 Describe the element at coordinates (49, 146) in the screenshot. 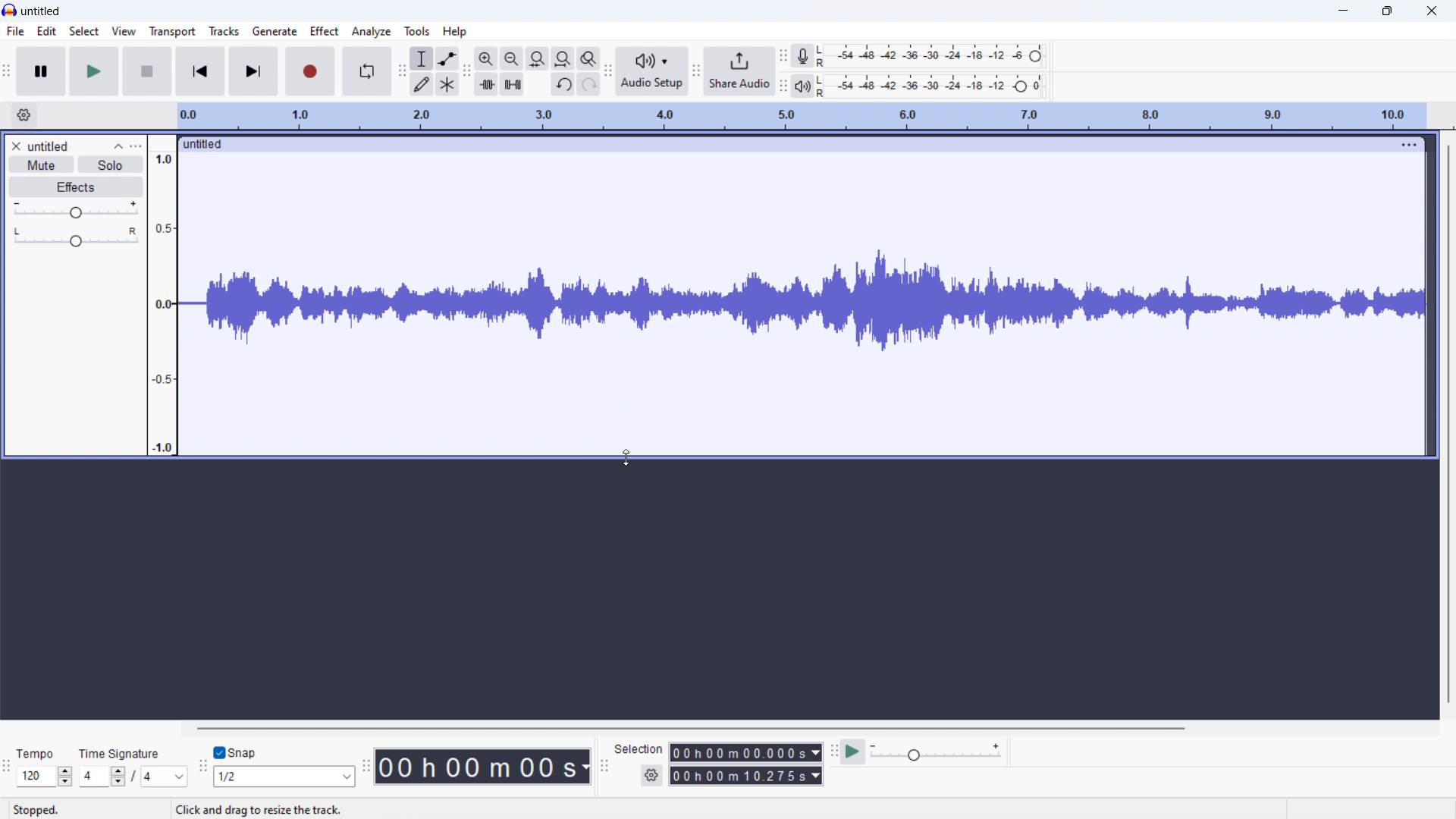

I see `track title` at that location.